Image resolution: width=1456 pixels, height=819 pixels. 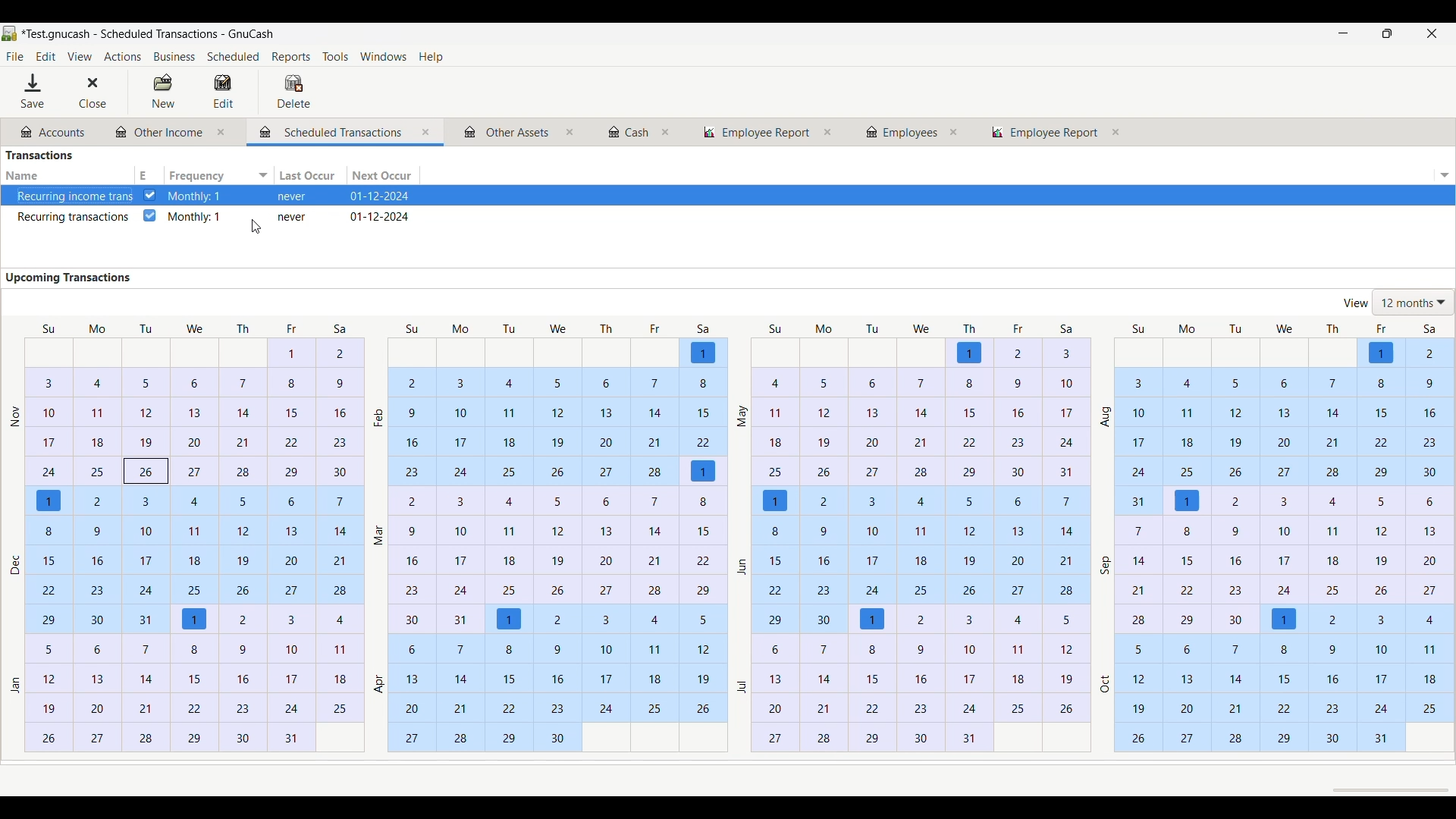 What do you see at coordinates (293, 91) in the screenshot?
I see `Delete` at bounding box center [293, 91].